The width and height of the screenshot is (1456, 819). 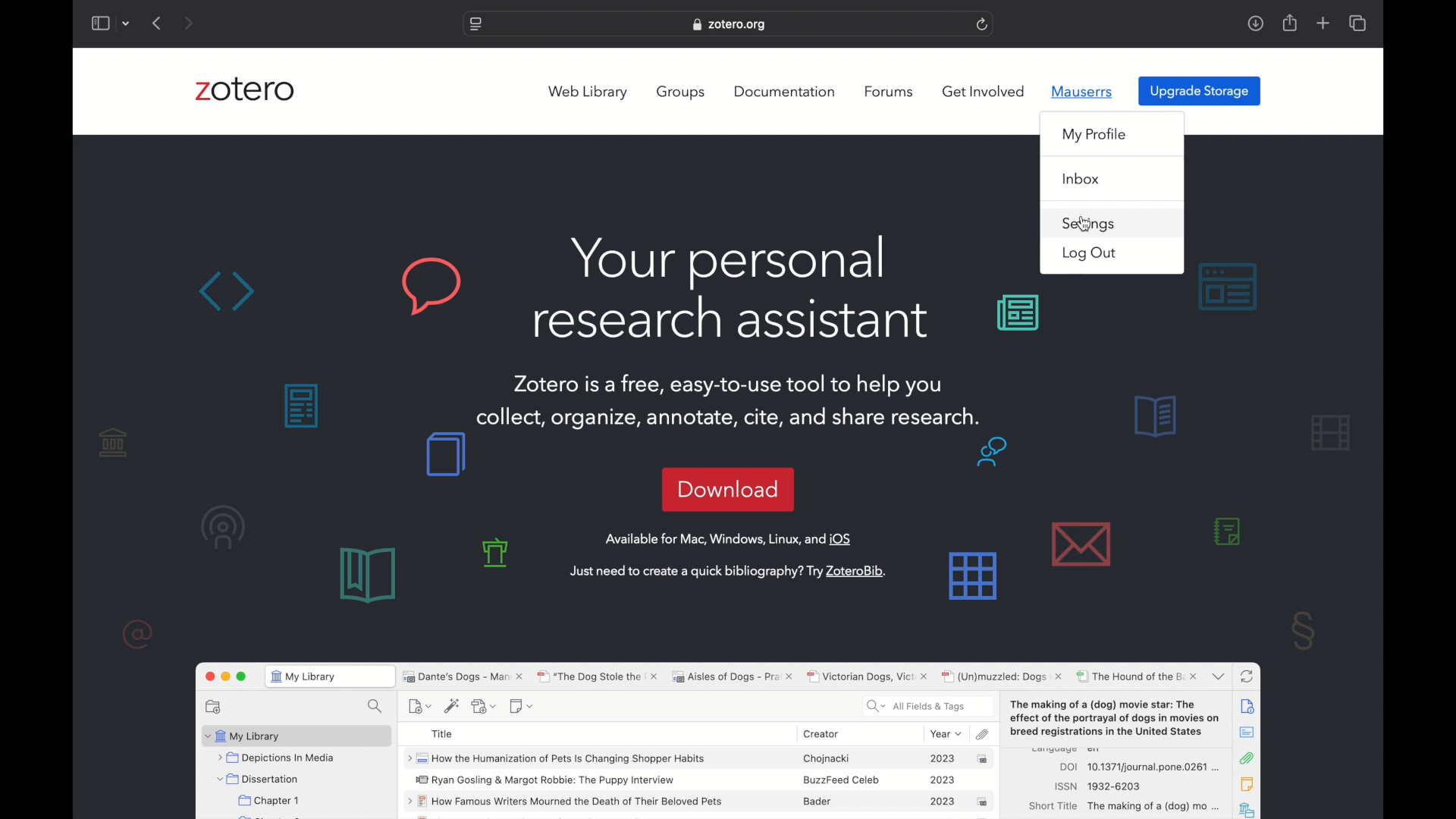 What do you see at coordinates (983, 24) in the screenshot?
I see `refresh` at bounding box center [983, 24].